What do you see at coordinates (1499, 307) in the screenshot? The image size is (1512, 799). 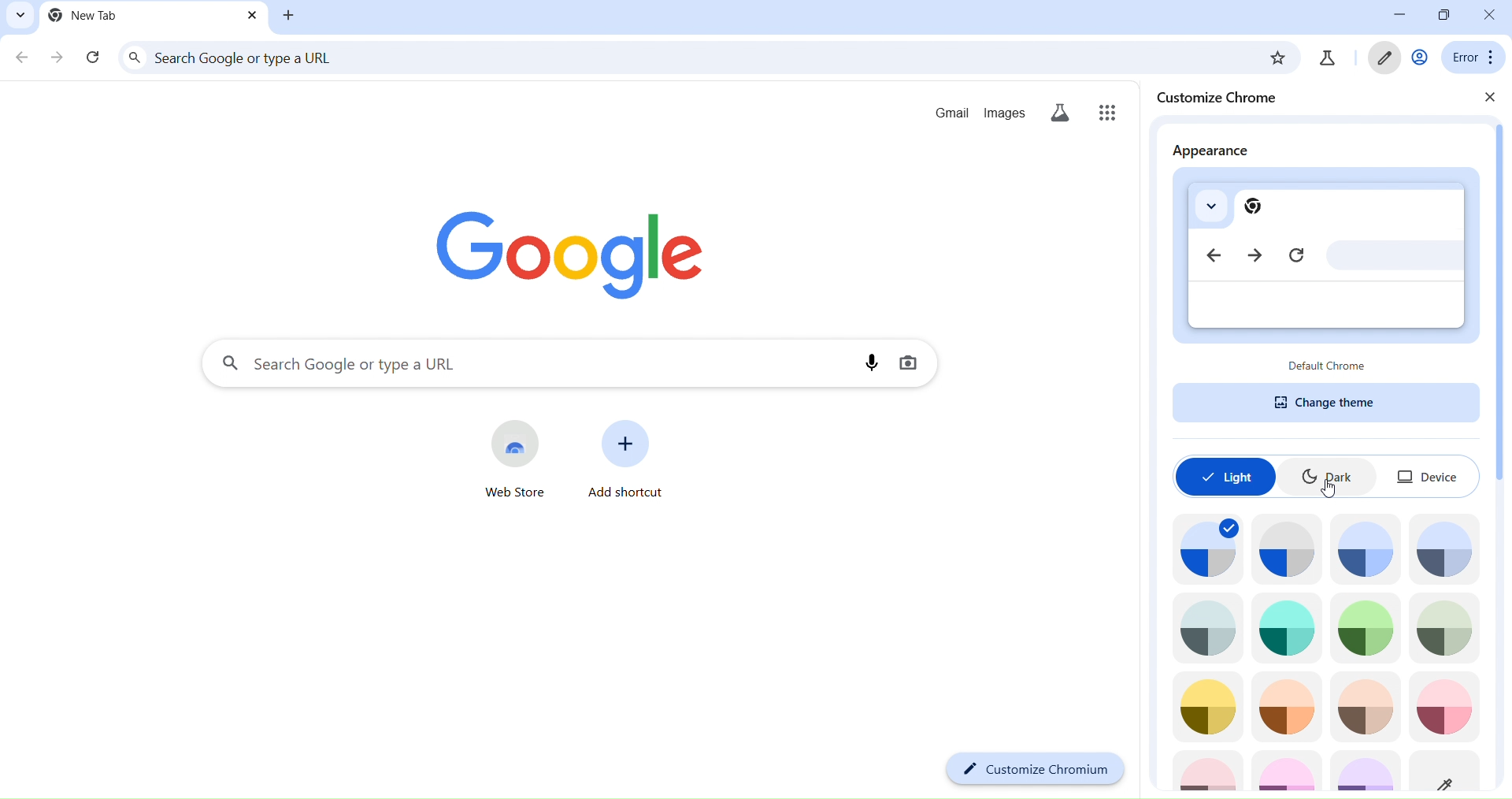 I see `scrollbar` at bounding box center [1499, 307].